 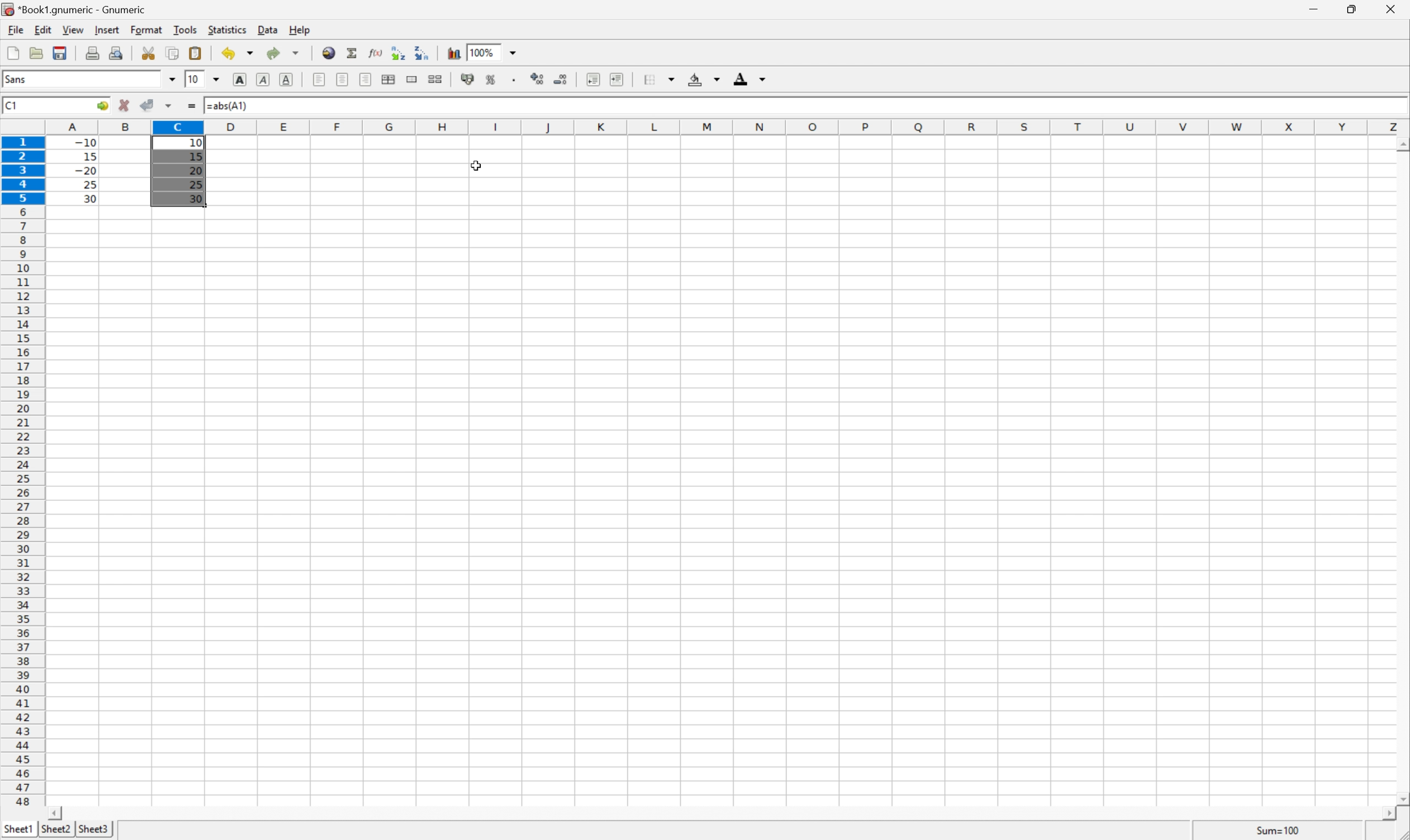 I want to click on Format, so click(x=148, y=28).